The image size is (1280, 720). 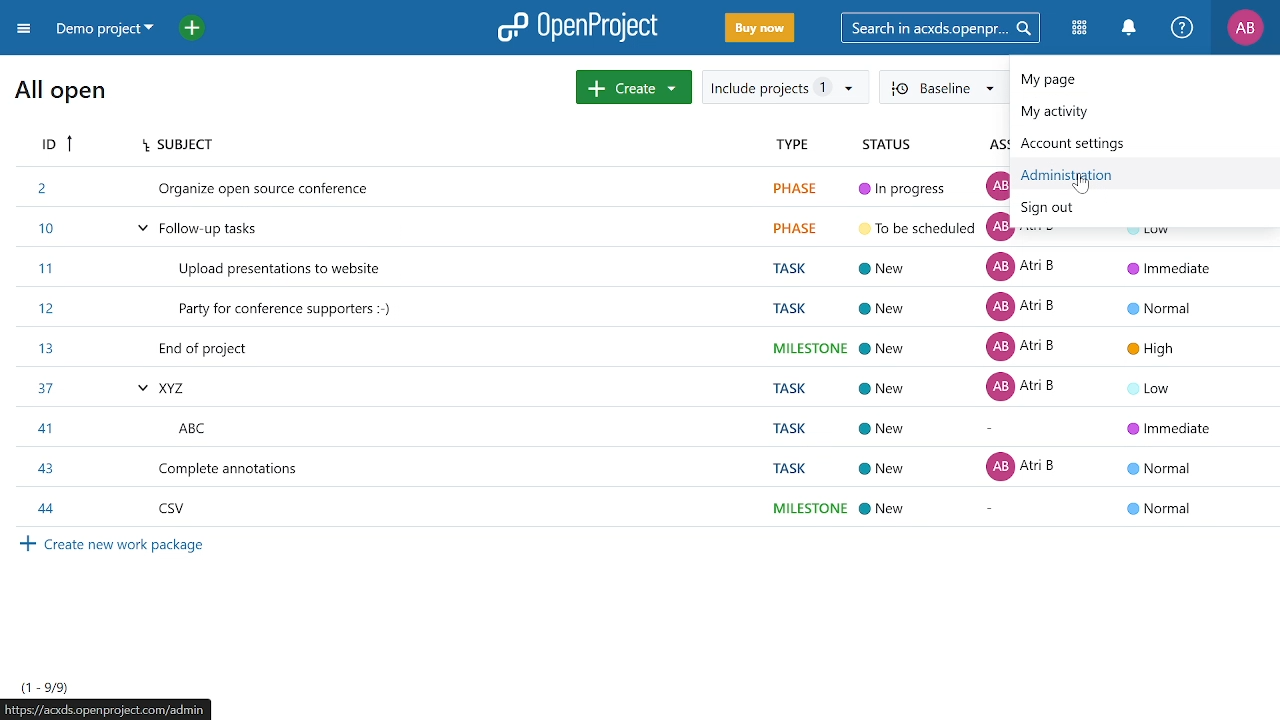 I want to click on Baseline, so click(x=944, y=88).